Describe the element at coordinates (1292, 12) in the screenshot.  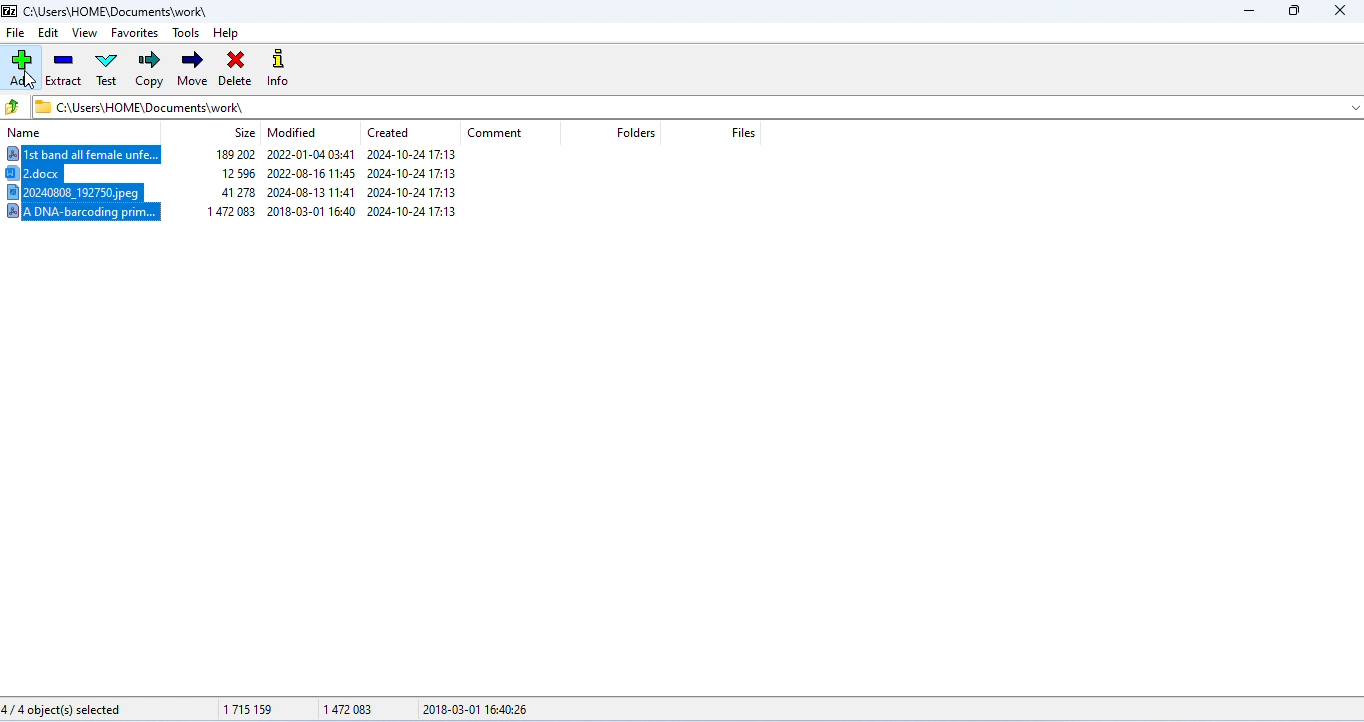
I see `maximize` at that location.